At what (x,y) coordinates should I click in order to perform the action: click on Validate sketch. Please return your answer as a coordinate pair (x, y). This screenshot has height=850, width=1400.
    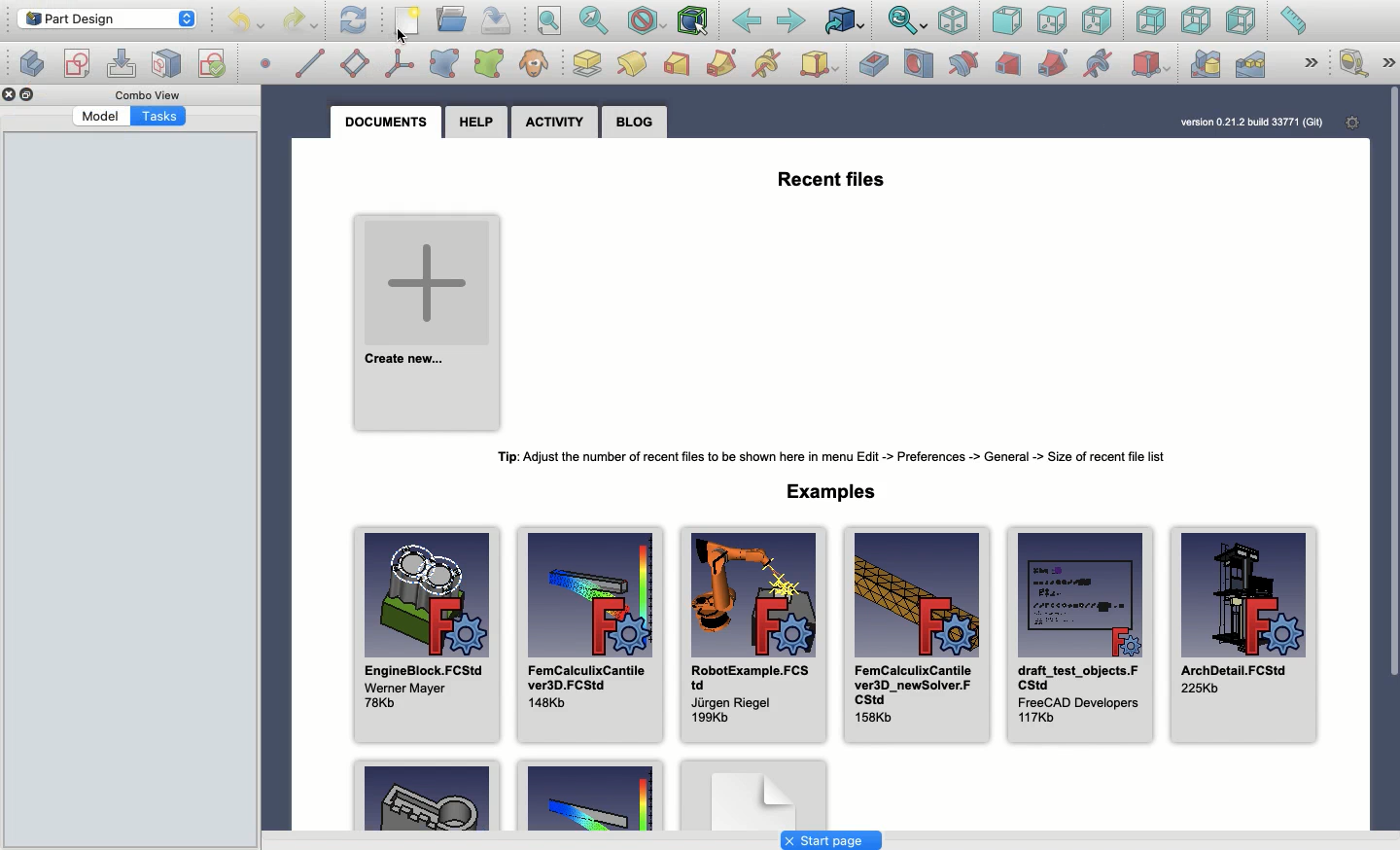
    Looking at the image, I should click on (211, 60).